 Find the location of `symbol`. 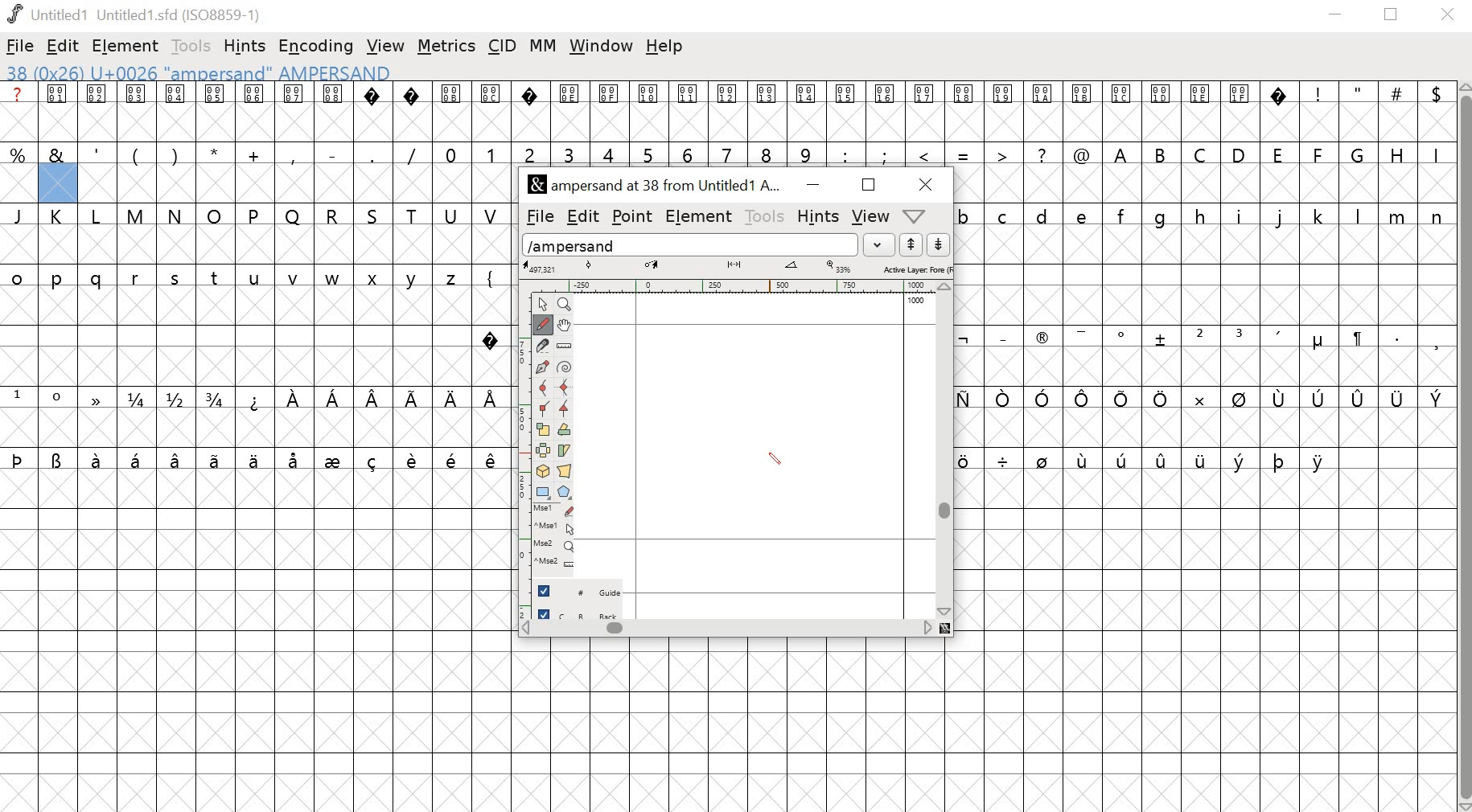

symbol is located at coordinates (1239, 399).